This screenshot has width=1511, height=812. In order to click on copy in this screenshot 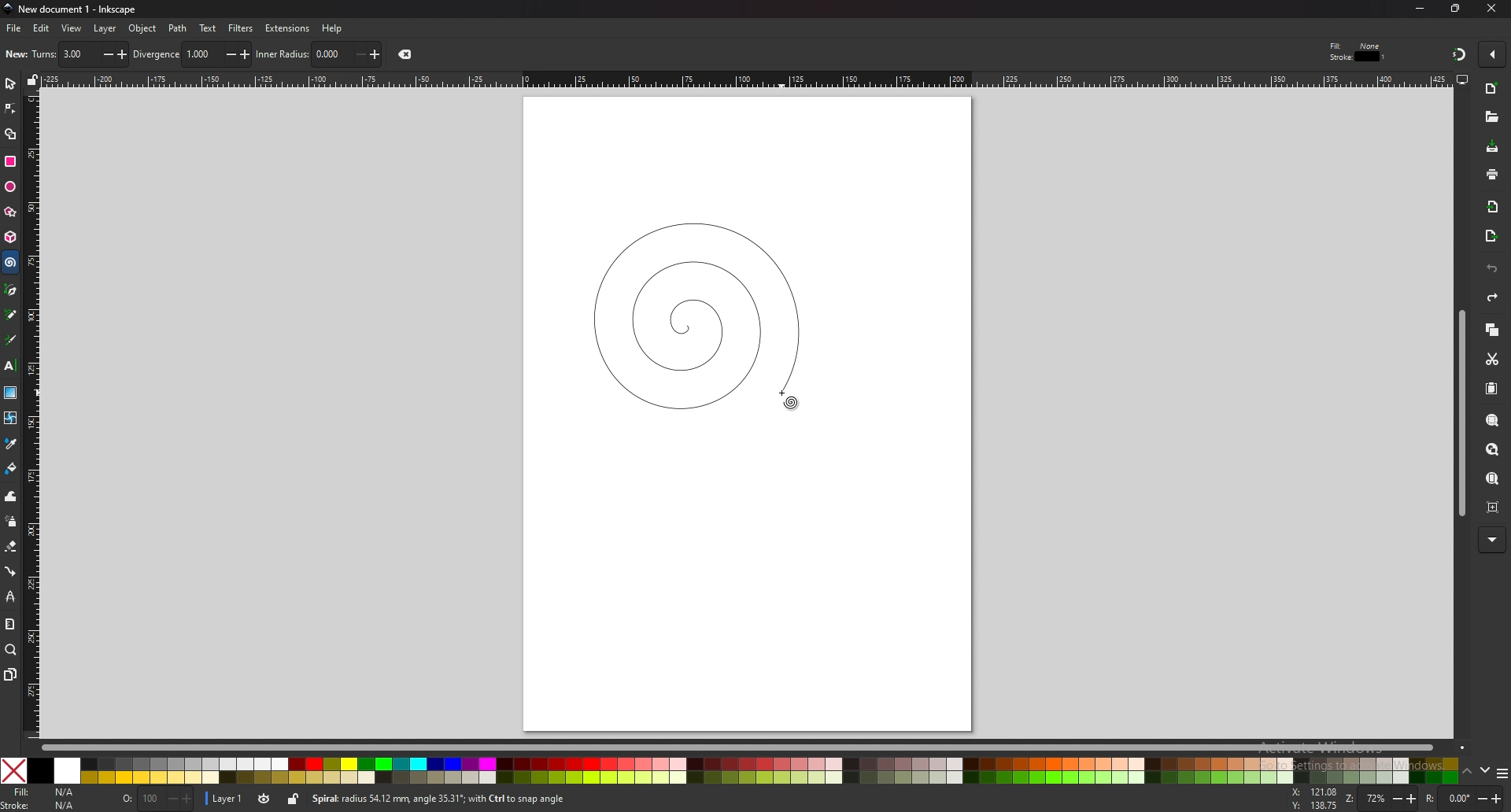, I will do `click(1492, 329)`.